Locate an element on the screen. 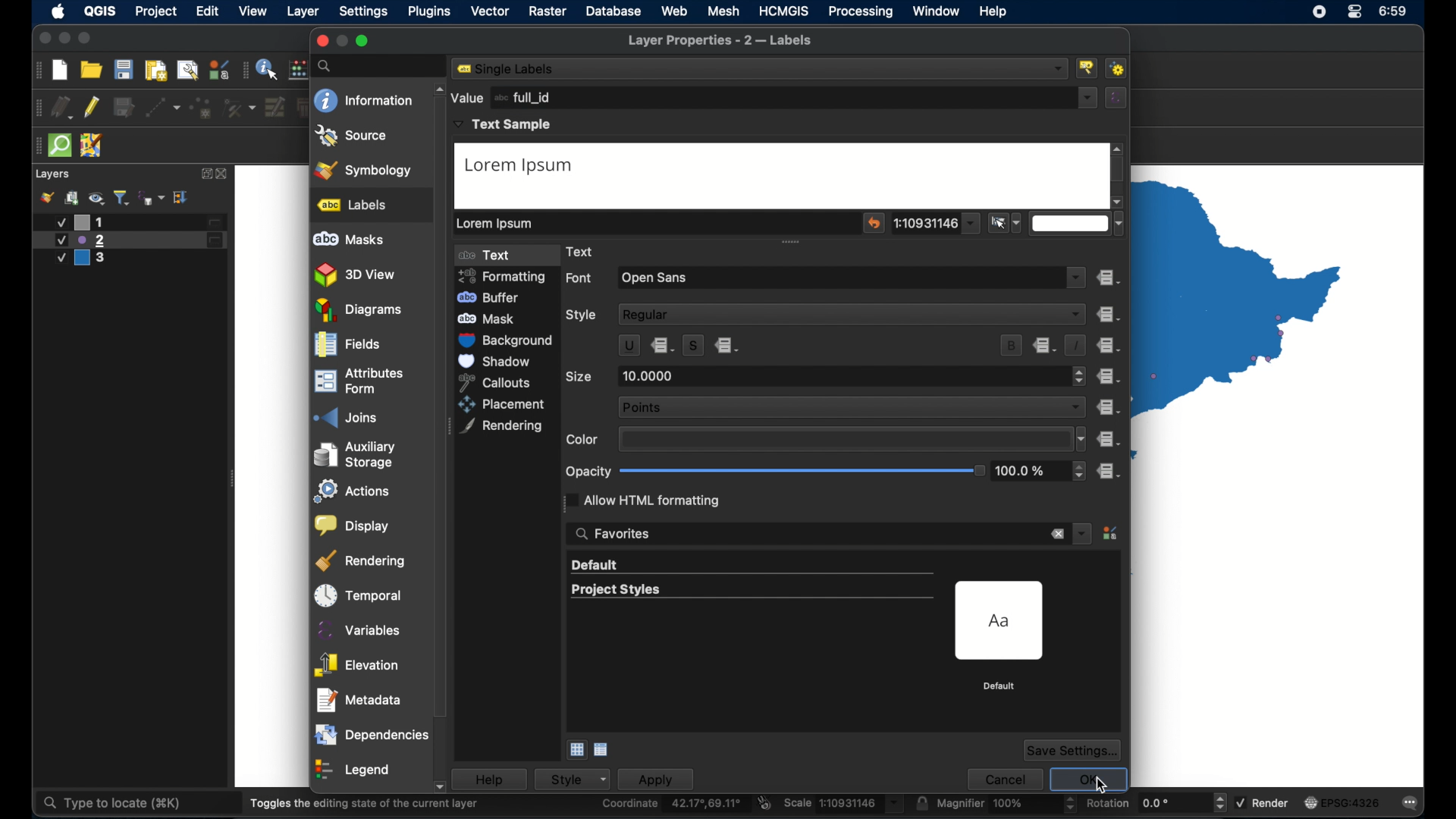 This screenshot has width=1456, height=819. open field calculator is located at coordinates (300, 69).